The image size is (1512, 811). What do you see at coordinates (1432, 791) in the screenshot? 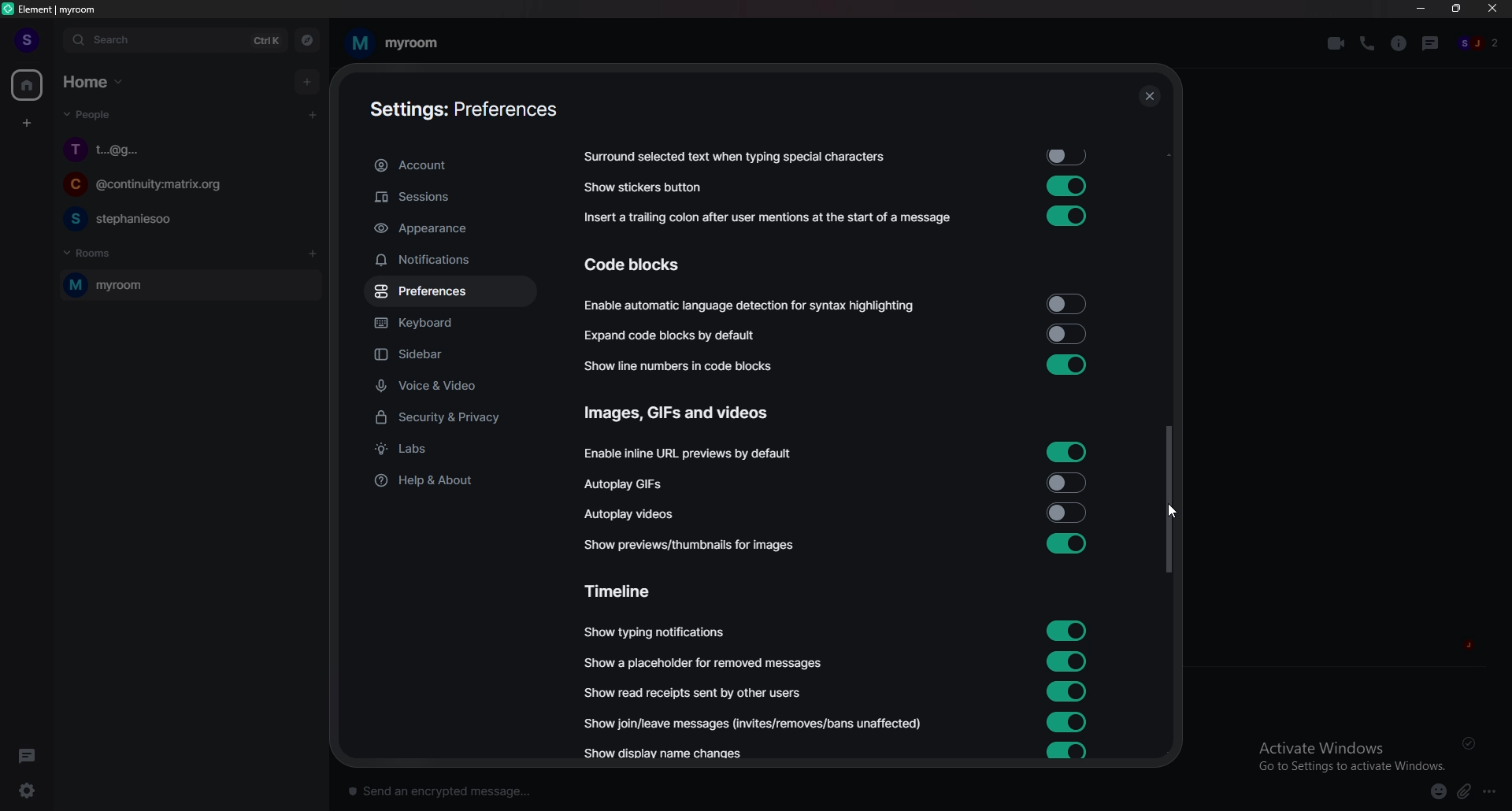
I see `emoji` at bounding box center [1432, 791].